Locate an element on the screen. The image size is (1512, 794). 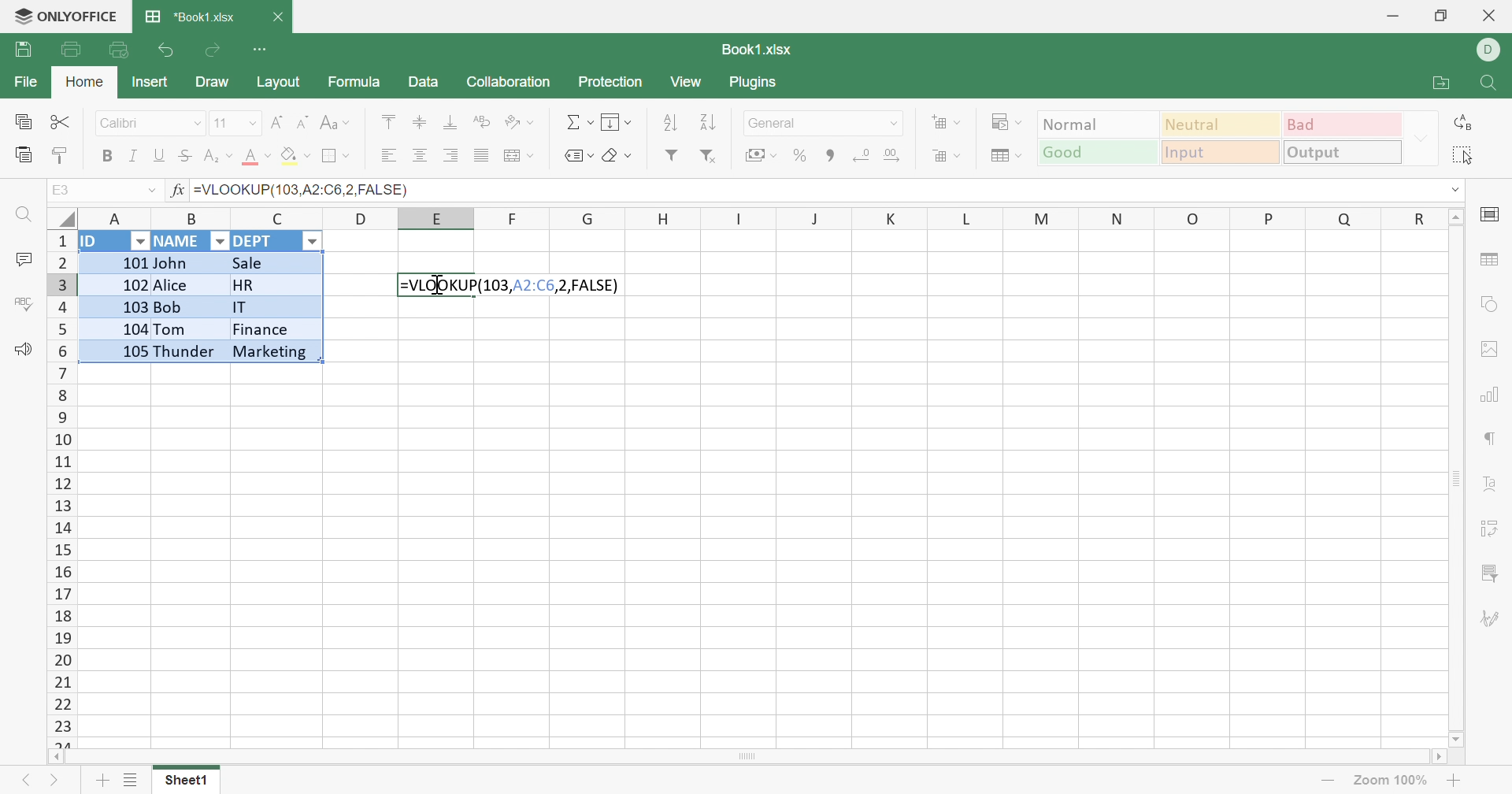
Find is located at coordinates (1487, 84).